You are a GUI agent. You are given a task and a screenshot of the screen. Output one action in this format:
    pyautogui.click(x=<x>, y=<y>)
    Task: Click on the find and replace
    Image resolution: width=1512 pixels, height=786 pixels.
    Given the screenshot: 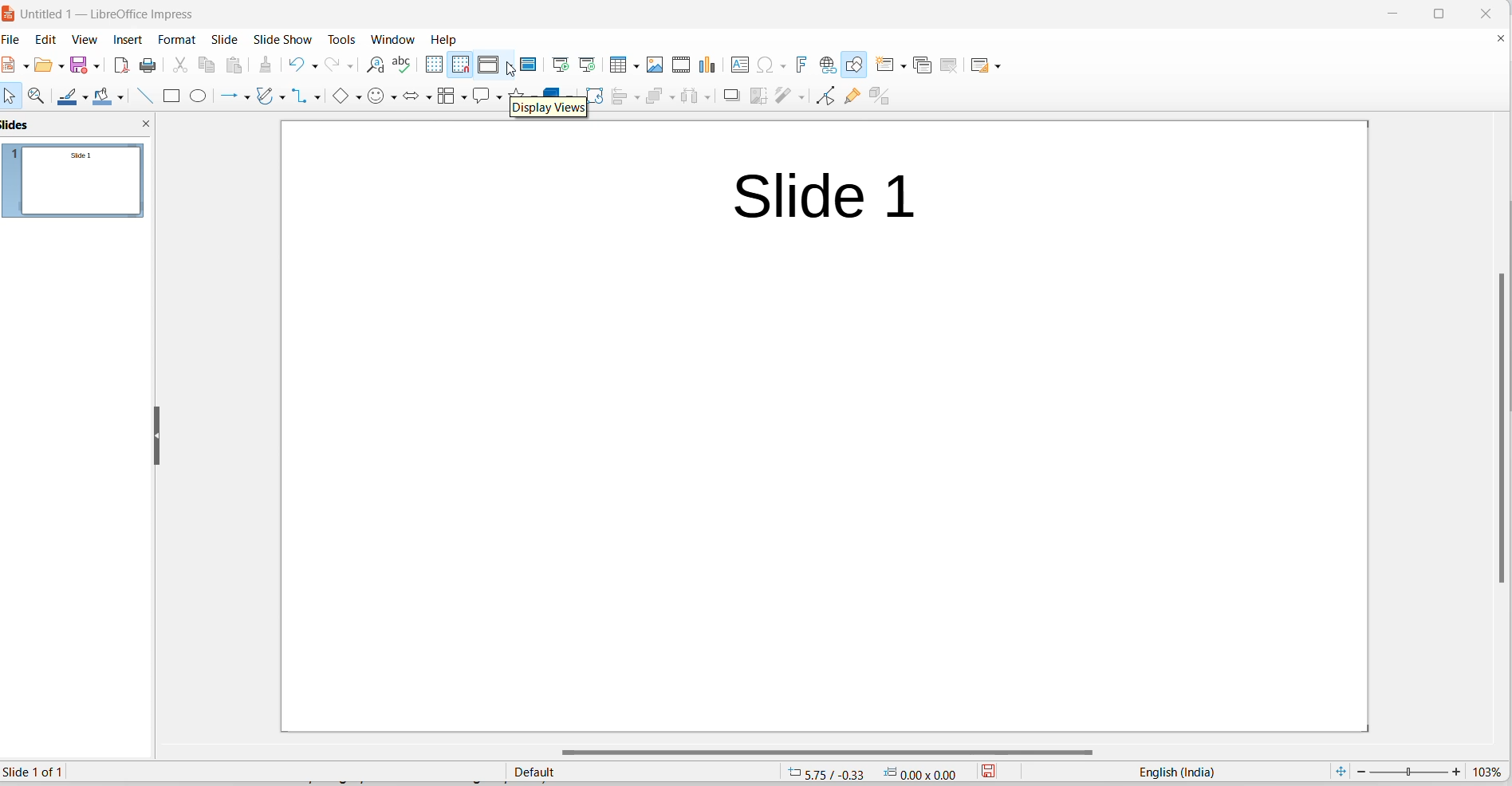 What is the action you would take?
    pyautogui.click(x=375, y=65)
    